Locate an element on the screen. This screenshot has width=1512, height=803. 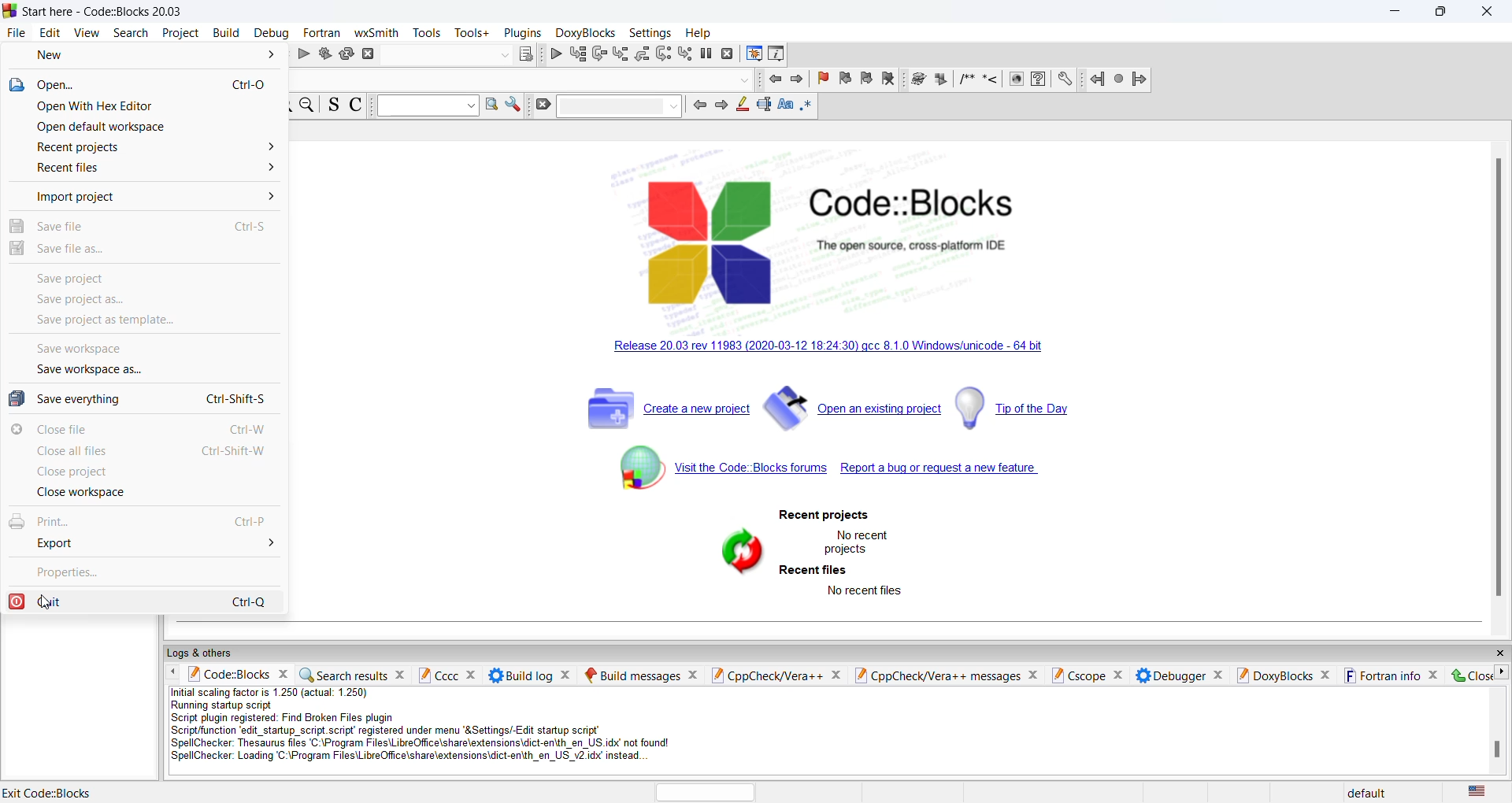
rebuild is located at coordinates (347, 54).